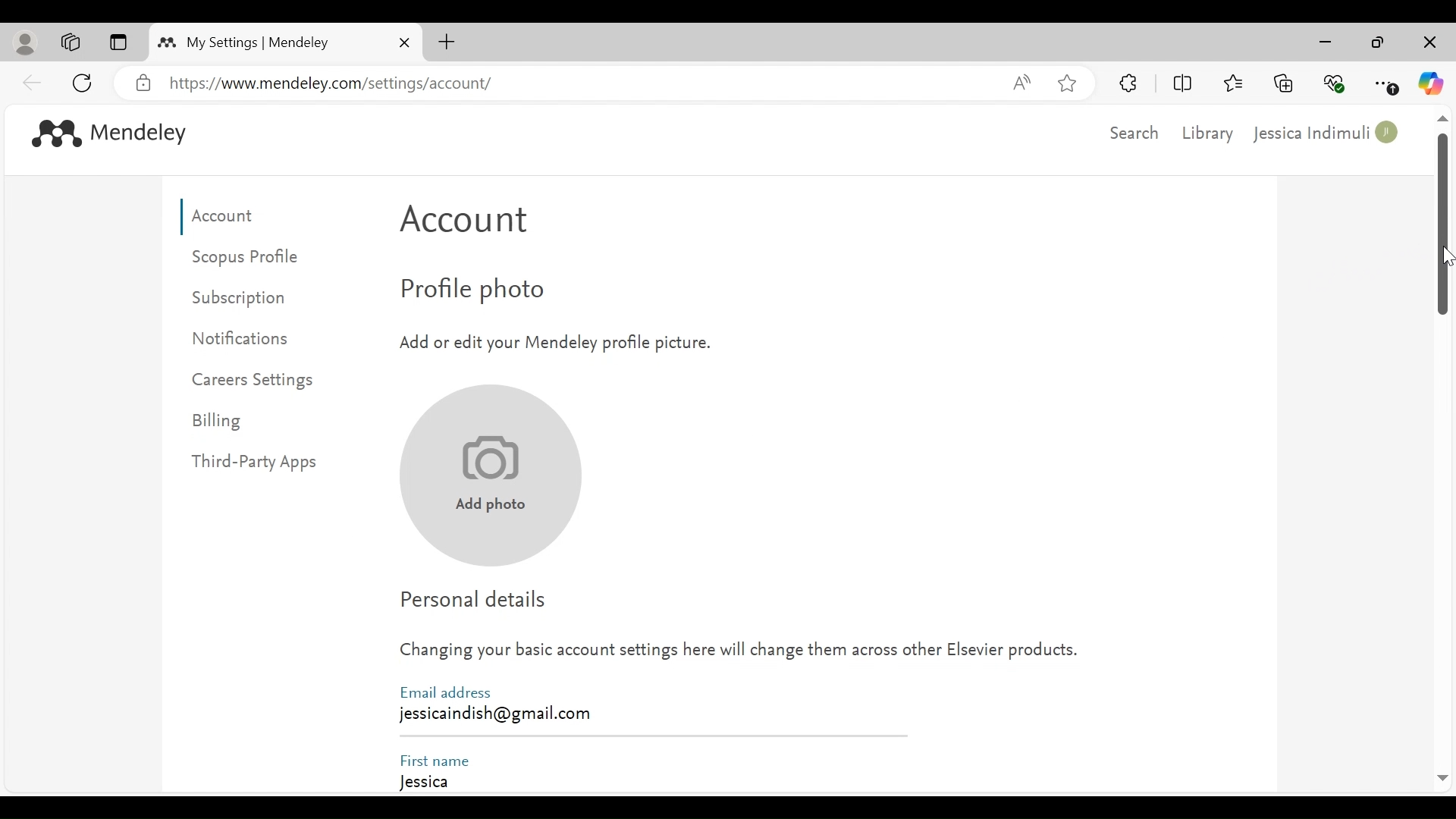 The width and height of the screenshot is (1456, 819). I want to click on library, so click(1210, 133).